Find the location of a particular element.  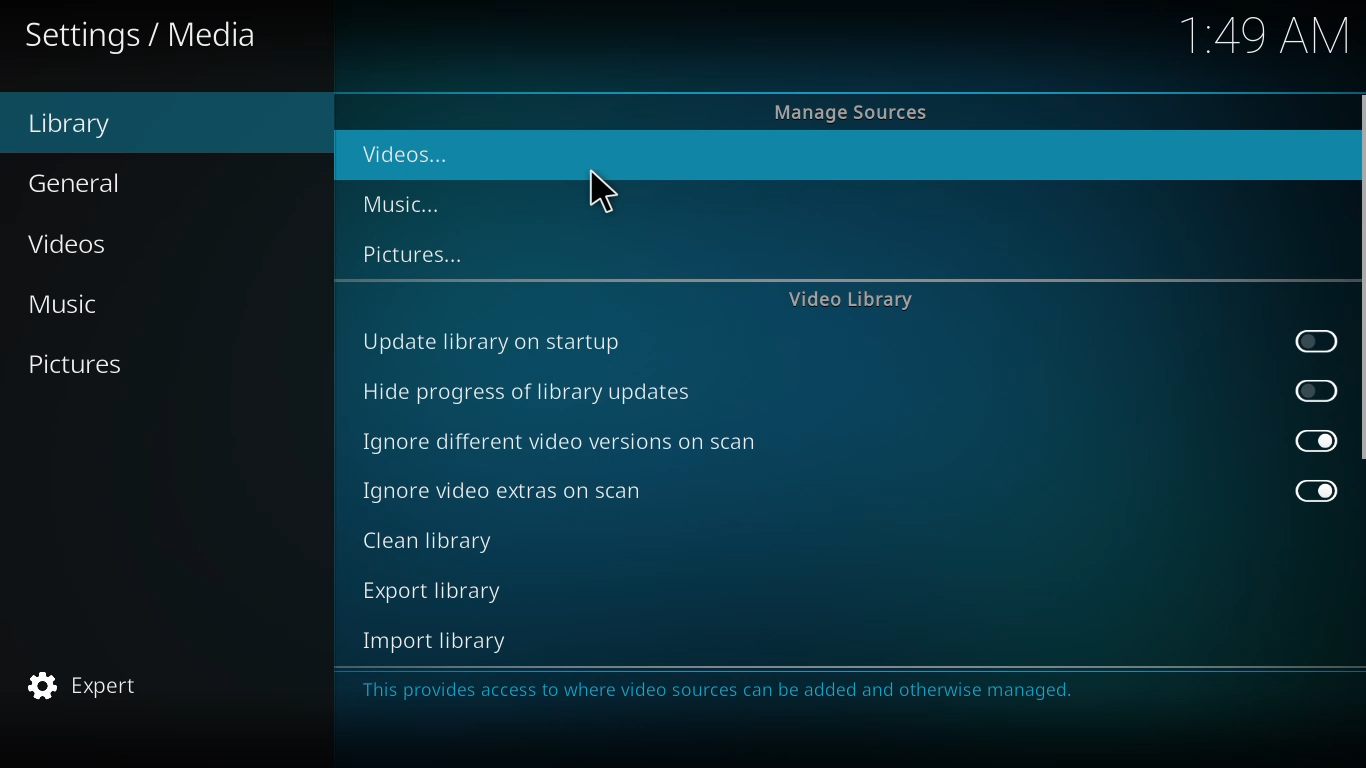

update library on startup is located at coordinates (494, 341).